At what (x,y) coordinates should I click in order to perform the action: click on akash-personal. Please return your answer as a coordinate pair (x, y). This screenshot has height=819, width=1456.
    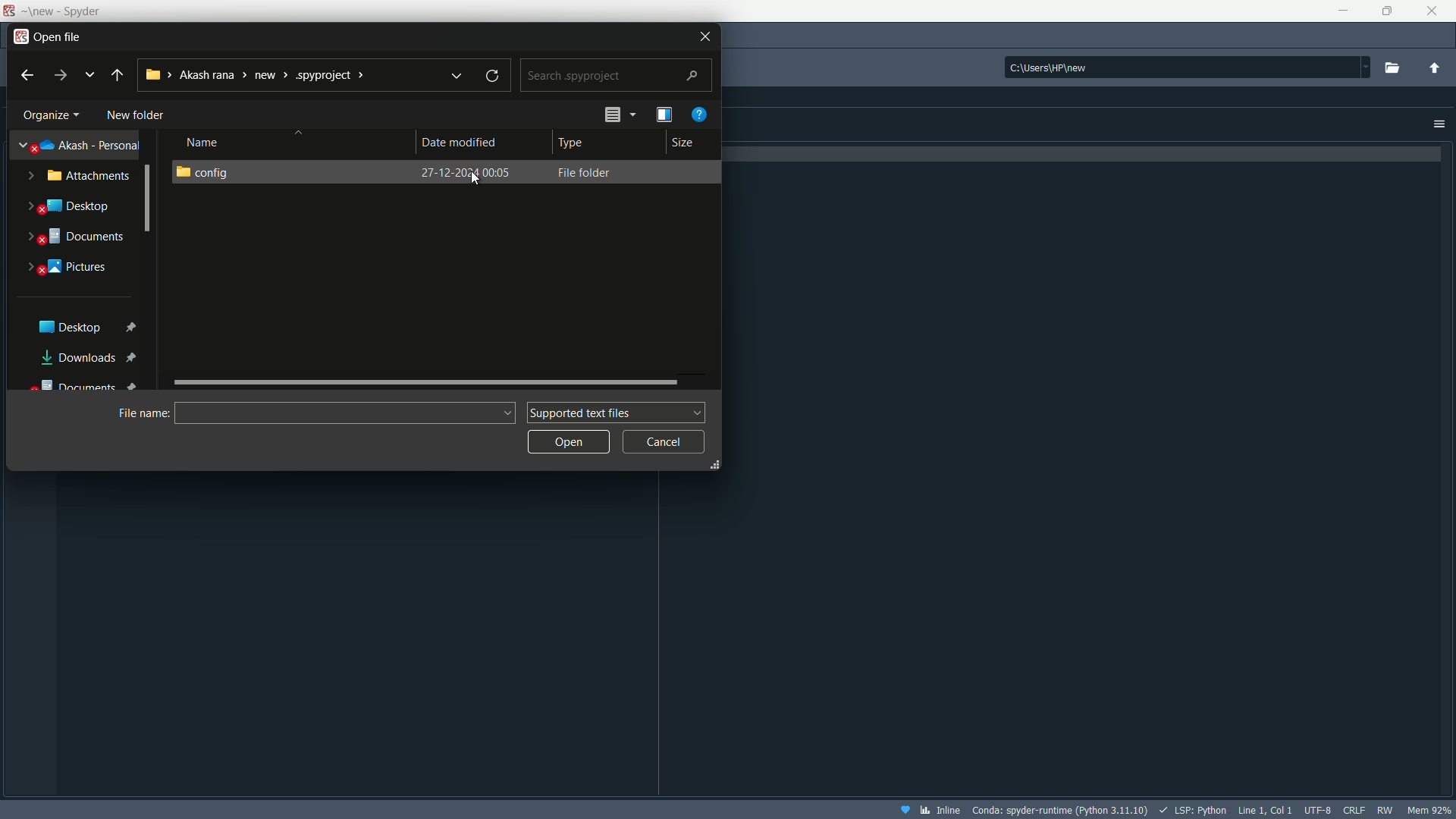
    Looking at the image, I should click on (80, 146).